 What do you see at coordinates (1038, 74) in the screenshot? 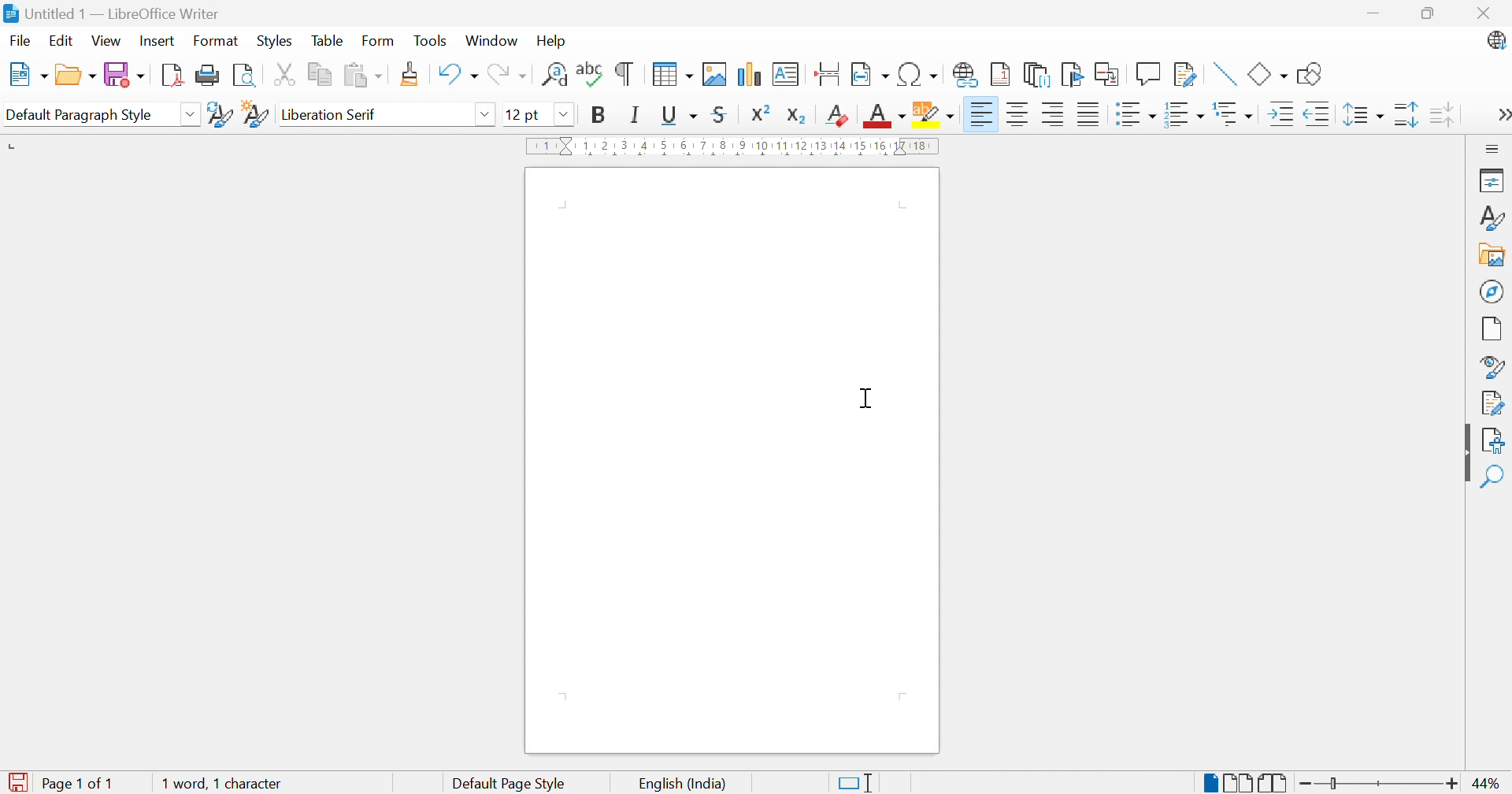
I see `Insert endnote` at bounding box center [1038, 74].